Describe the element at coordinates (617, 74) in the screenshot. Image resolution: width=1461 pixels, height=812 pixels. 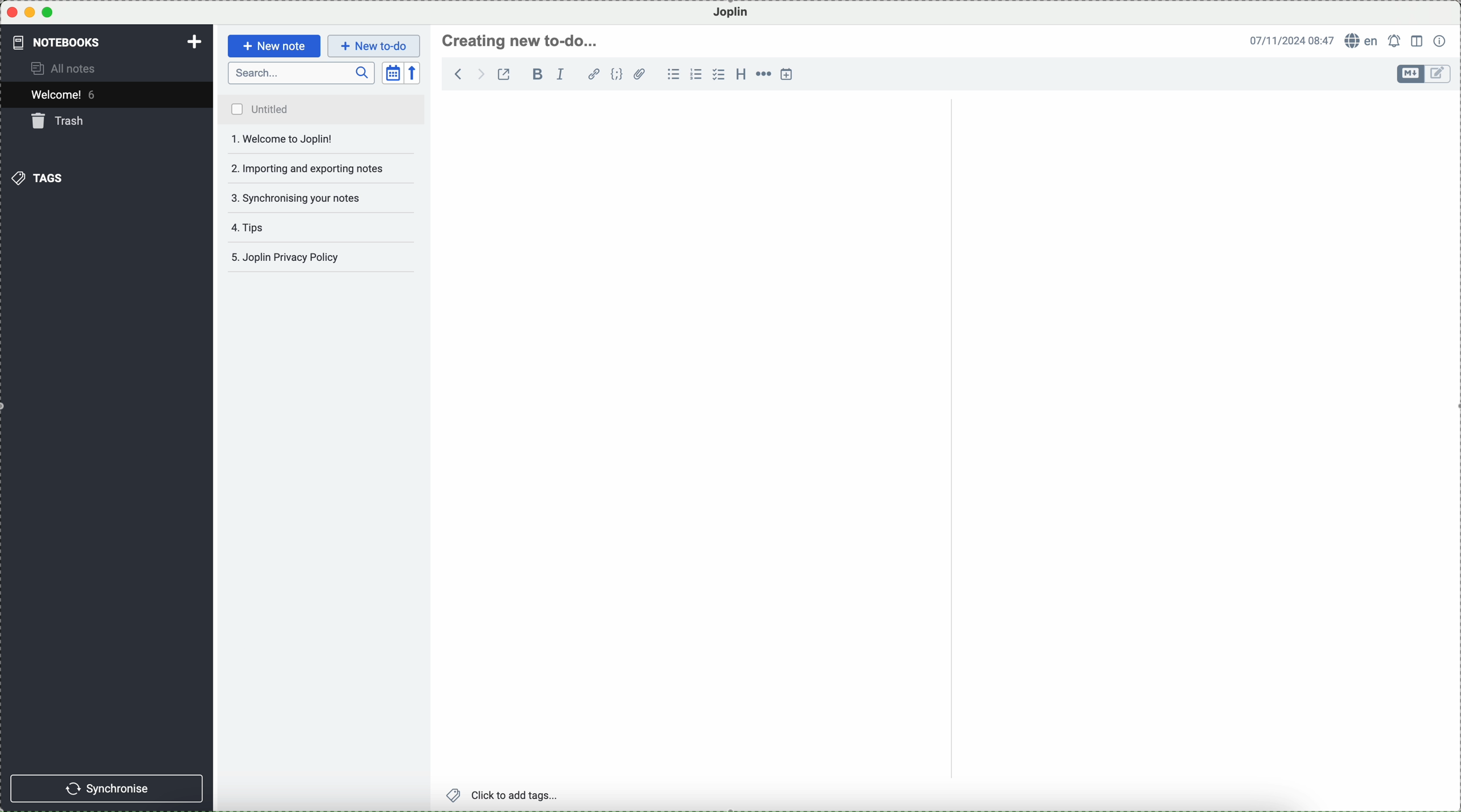
I see `code` at that location.